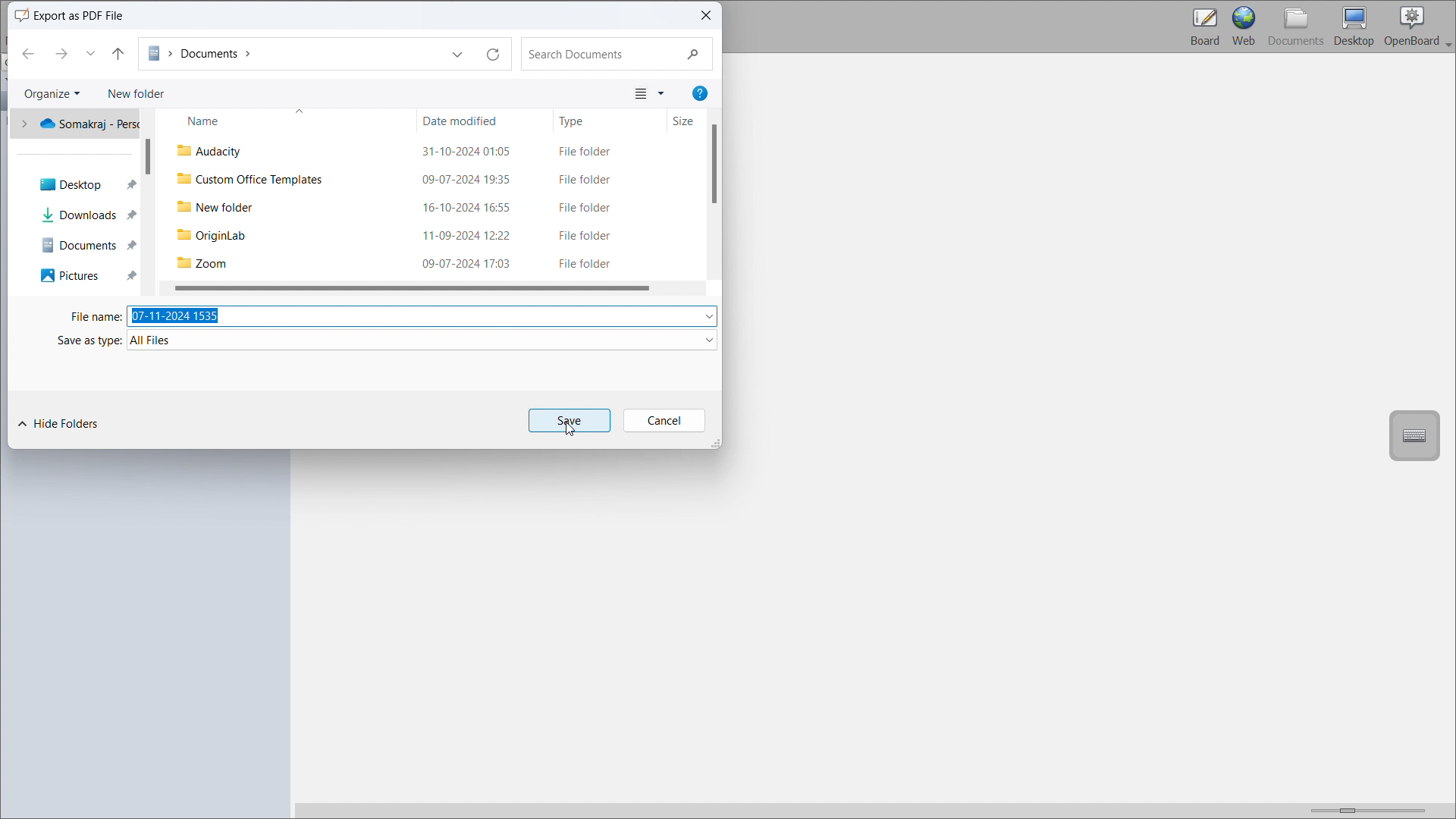 This screenshot has height=819, width=1456. Describe the element at coordinates (648, 93) in the screenshot. I see `view options` at that location.